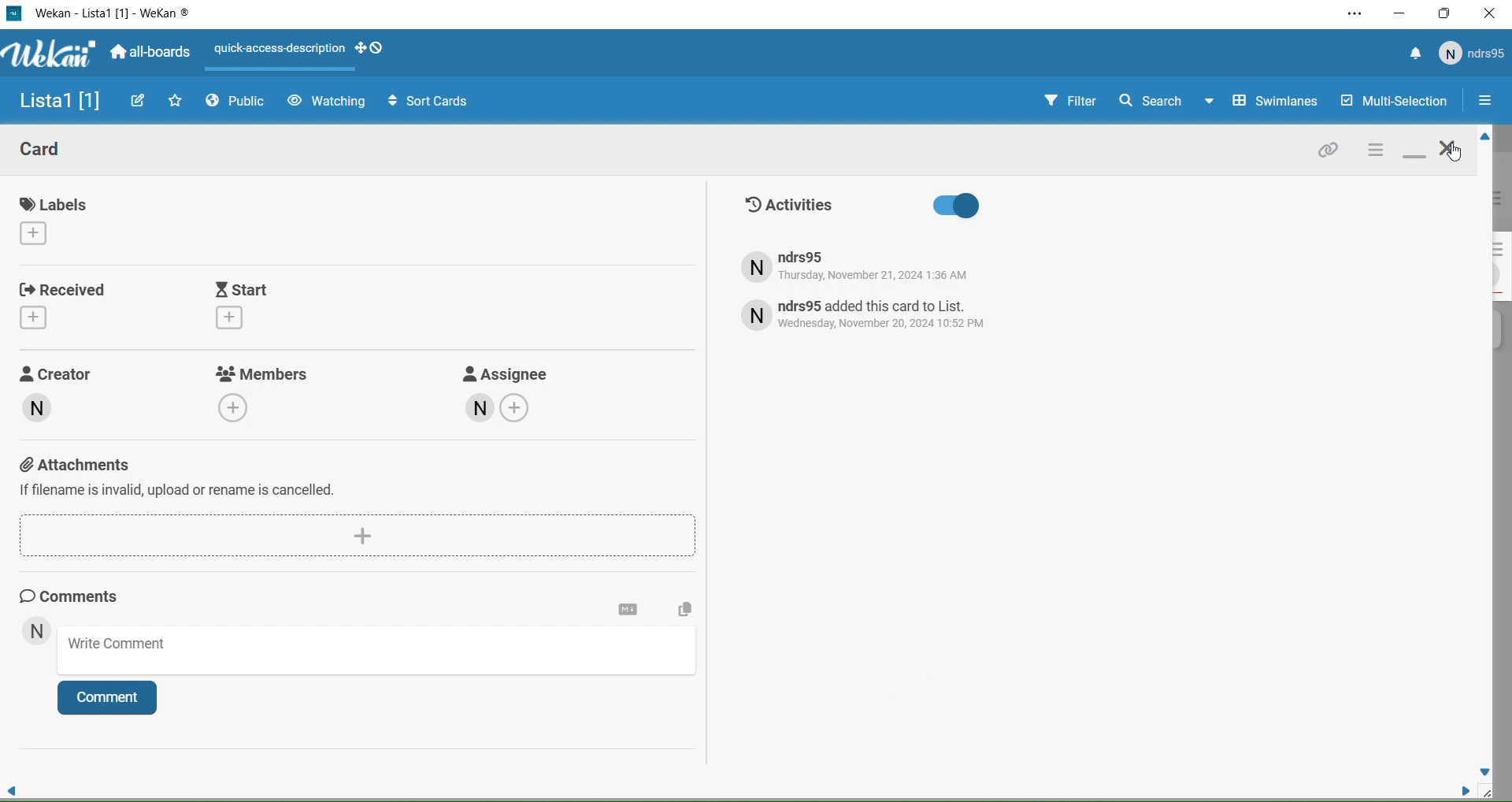 This screenshot has width=1512, height=802. I want to click on User, so click(36, 633).